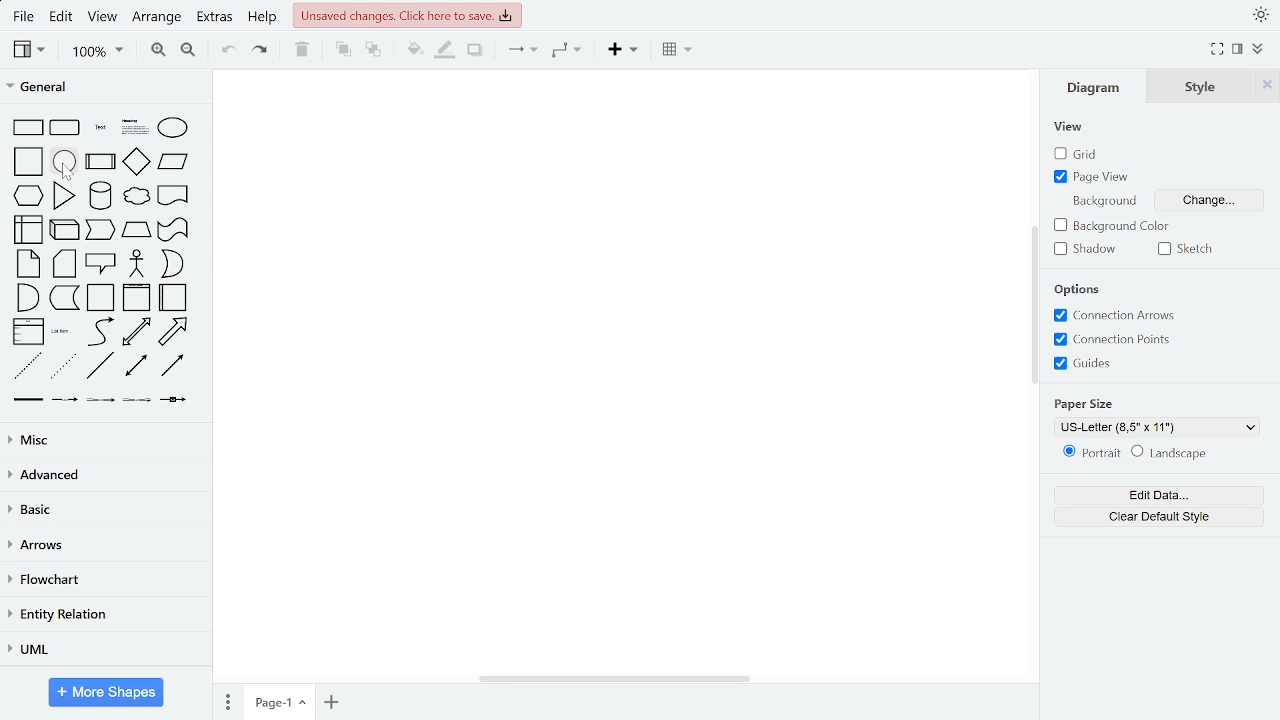 This screenshot has width=1280, height=720. I want to click on undo, so click(226, 52).